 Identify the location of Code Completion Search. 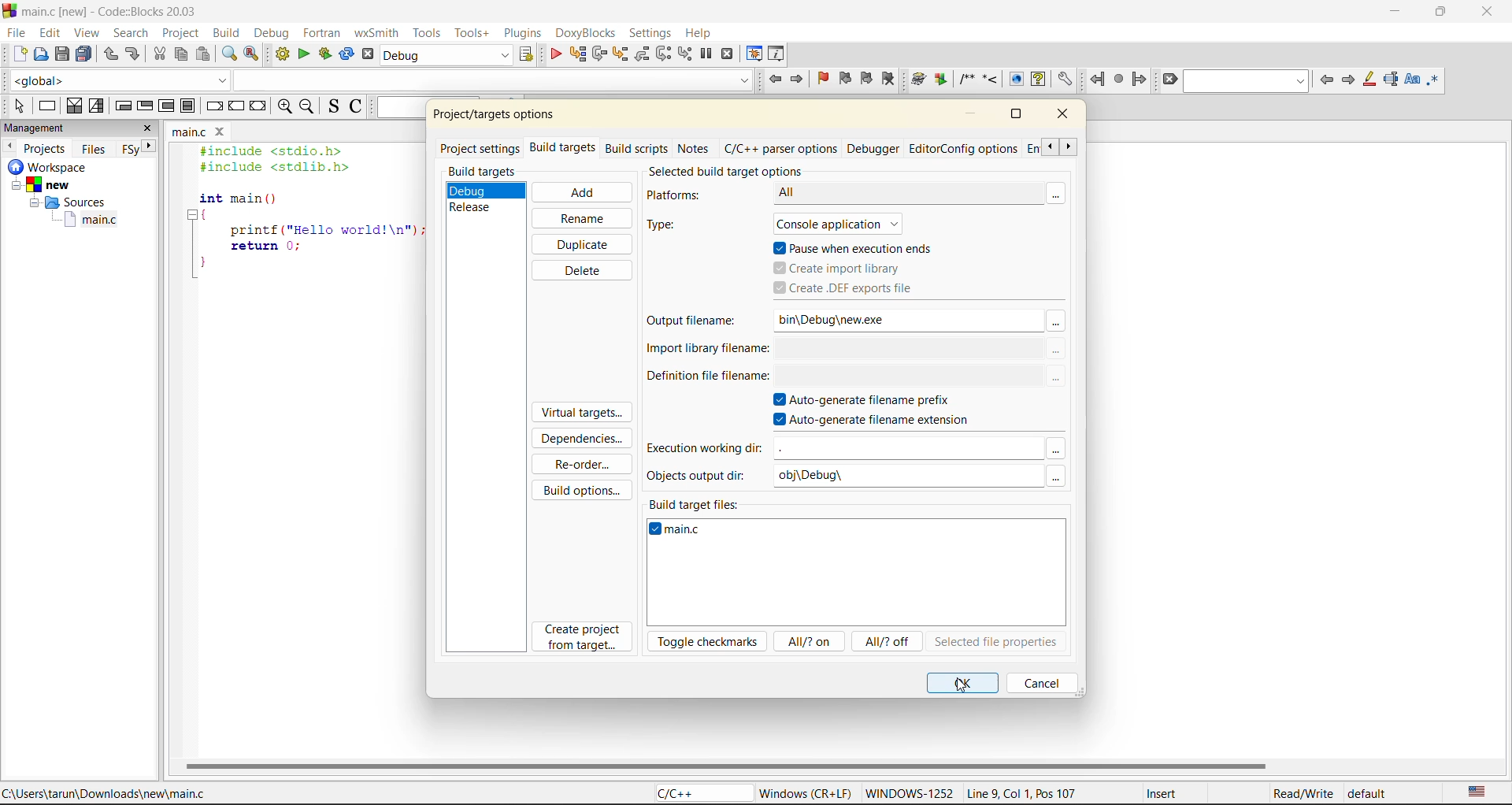
(493, 80).